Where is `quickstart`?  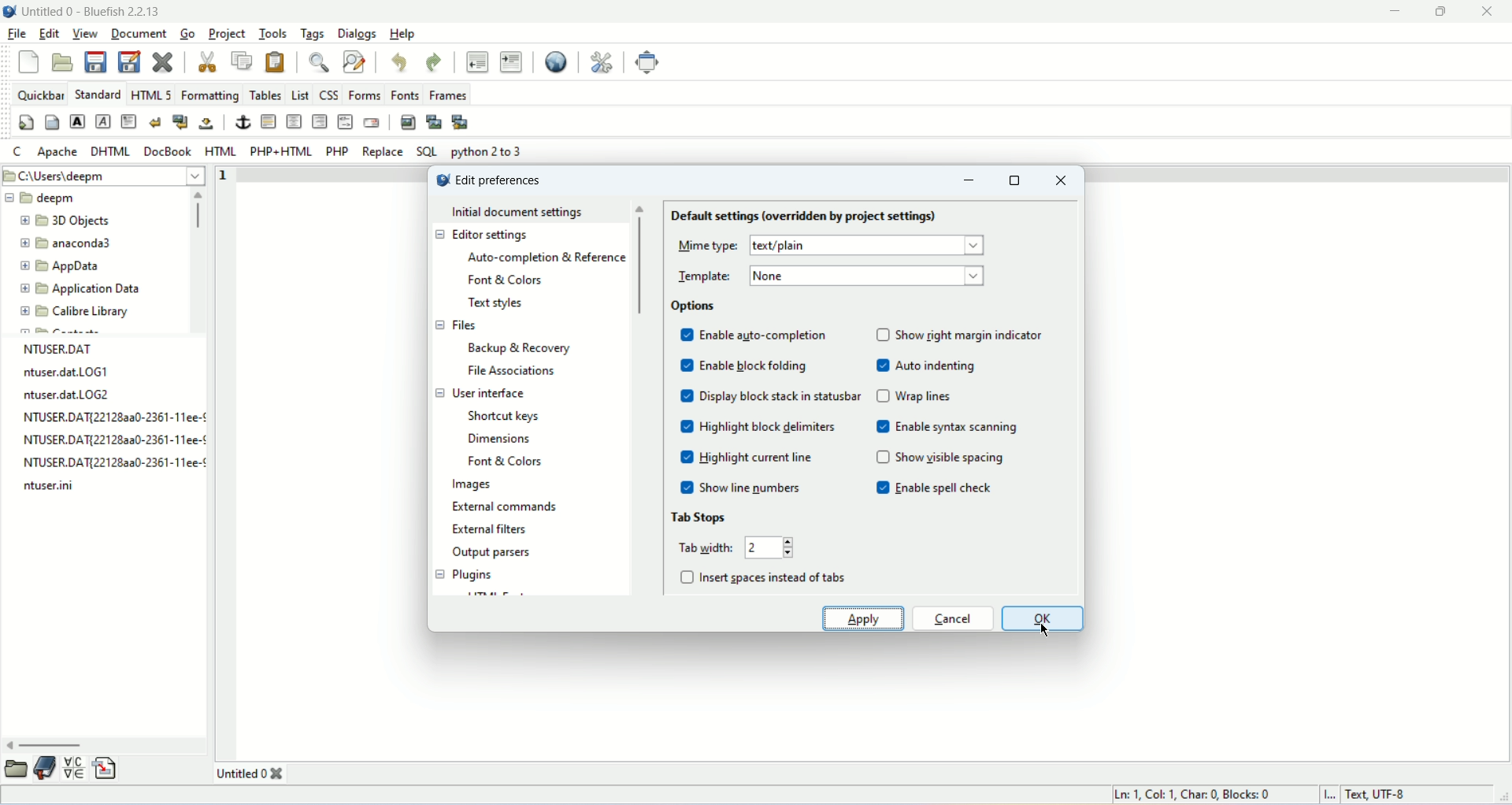 quickstart is located at coordinates (27, 123).